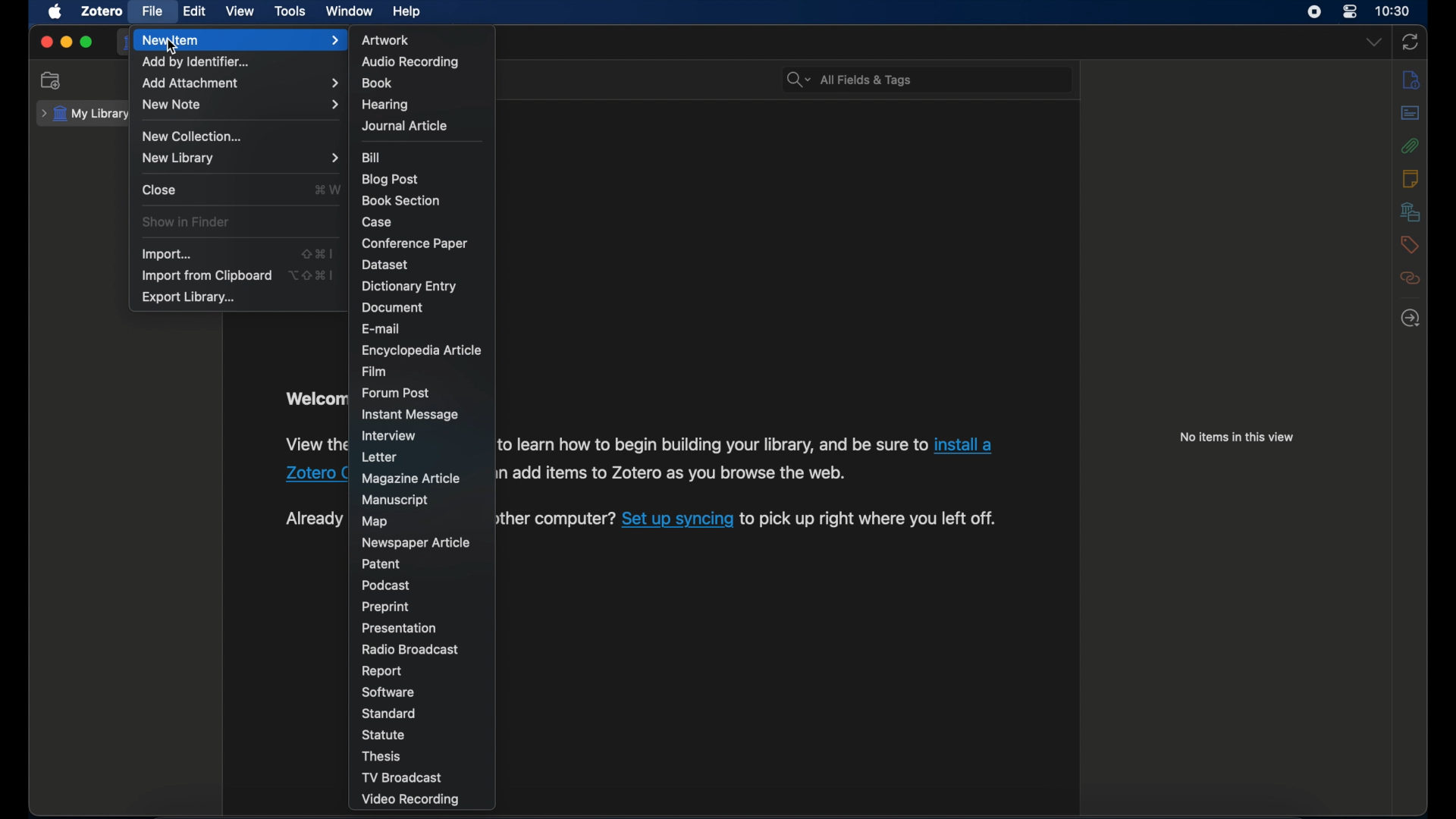 Image resolution: width=1456 pixels, height=819 pixels. What do you see at coordinates (375, 521) in the screenshot?
I see `map` at bounding box center [375, 521].